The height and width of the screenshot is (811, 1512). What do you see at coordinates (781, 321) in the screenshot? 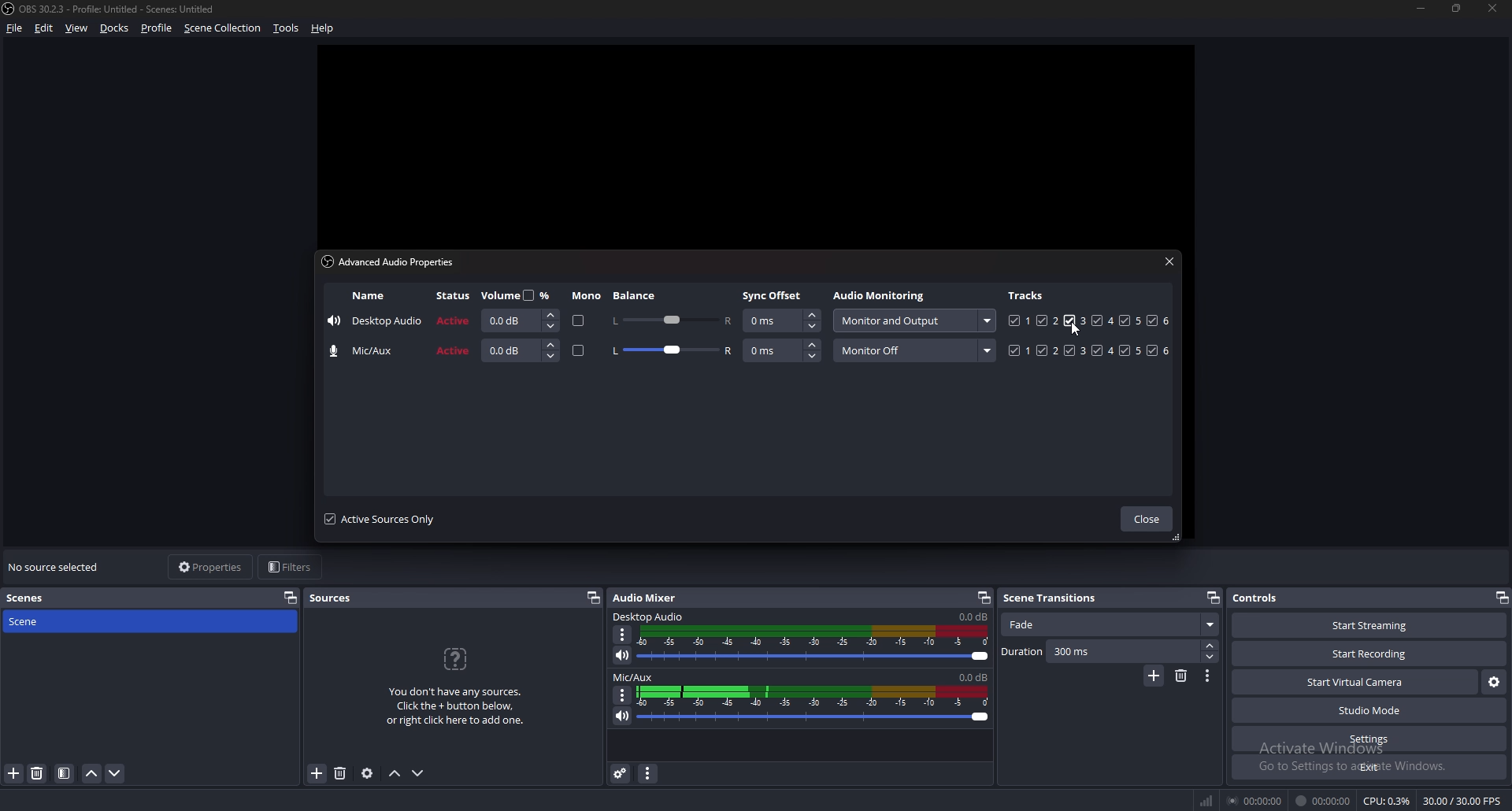
I see `sync offset input` at bounding box center [781, 321].